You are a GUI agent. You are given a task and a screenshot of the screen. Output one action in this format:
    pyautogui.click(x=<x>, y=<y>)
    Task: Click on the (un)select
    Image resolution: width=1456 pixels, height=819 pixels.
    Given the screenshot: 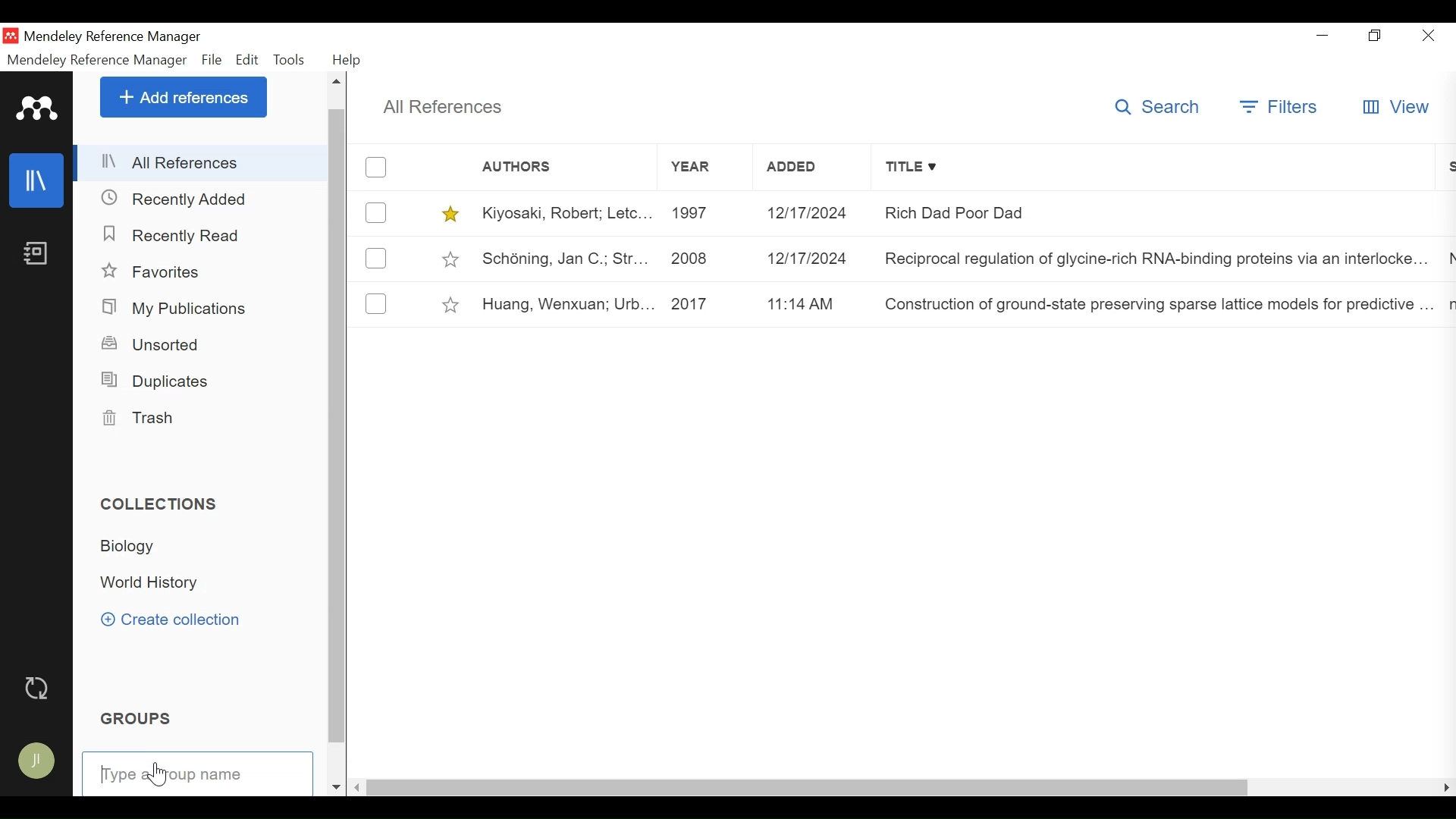 What is the action you would take?
    pyautogui.click(x=375, y=259)
    